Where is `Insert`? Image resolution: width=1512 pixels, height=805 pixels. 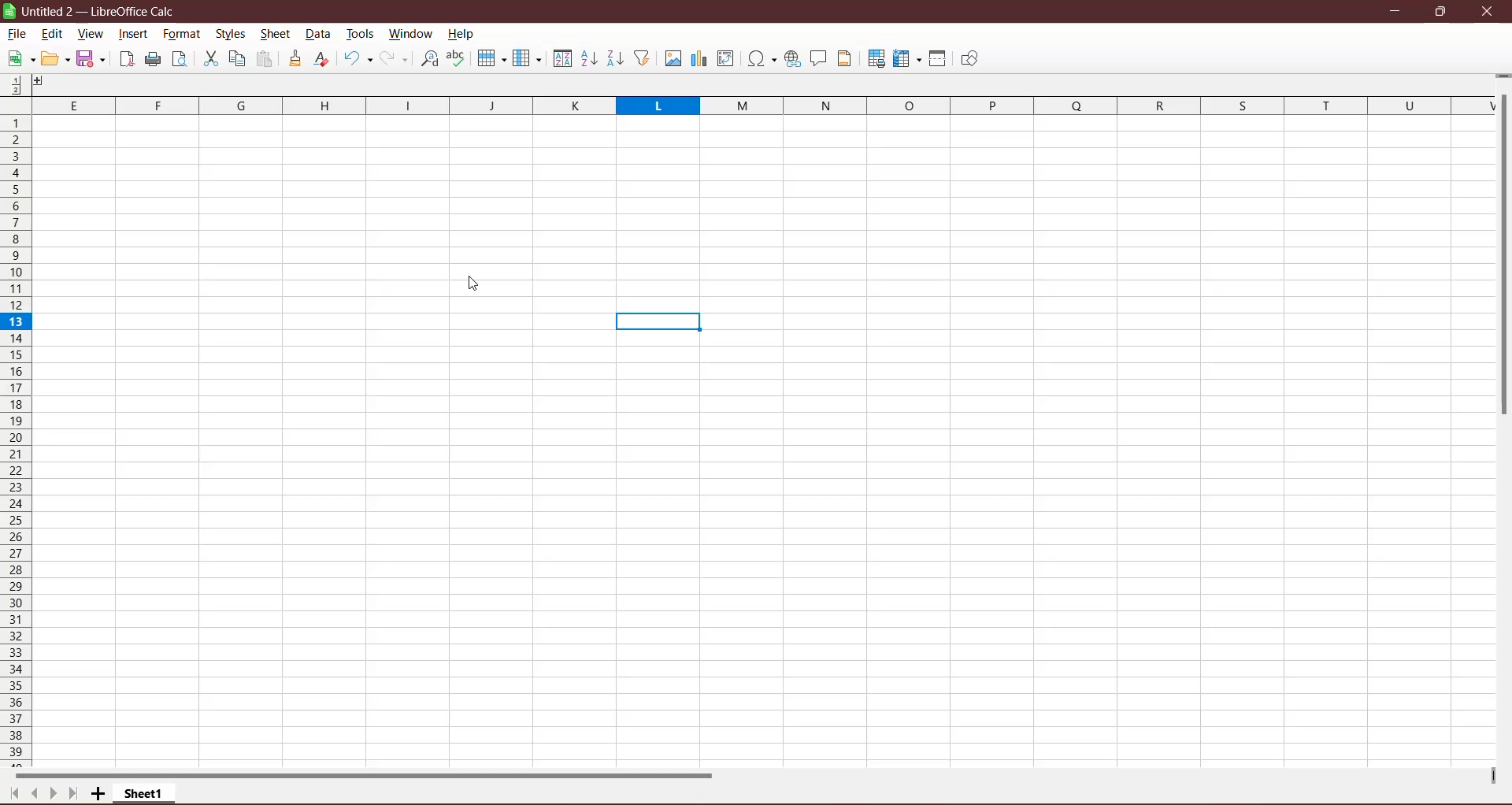 Insert is located at coordinates (134, 34).